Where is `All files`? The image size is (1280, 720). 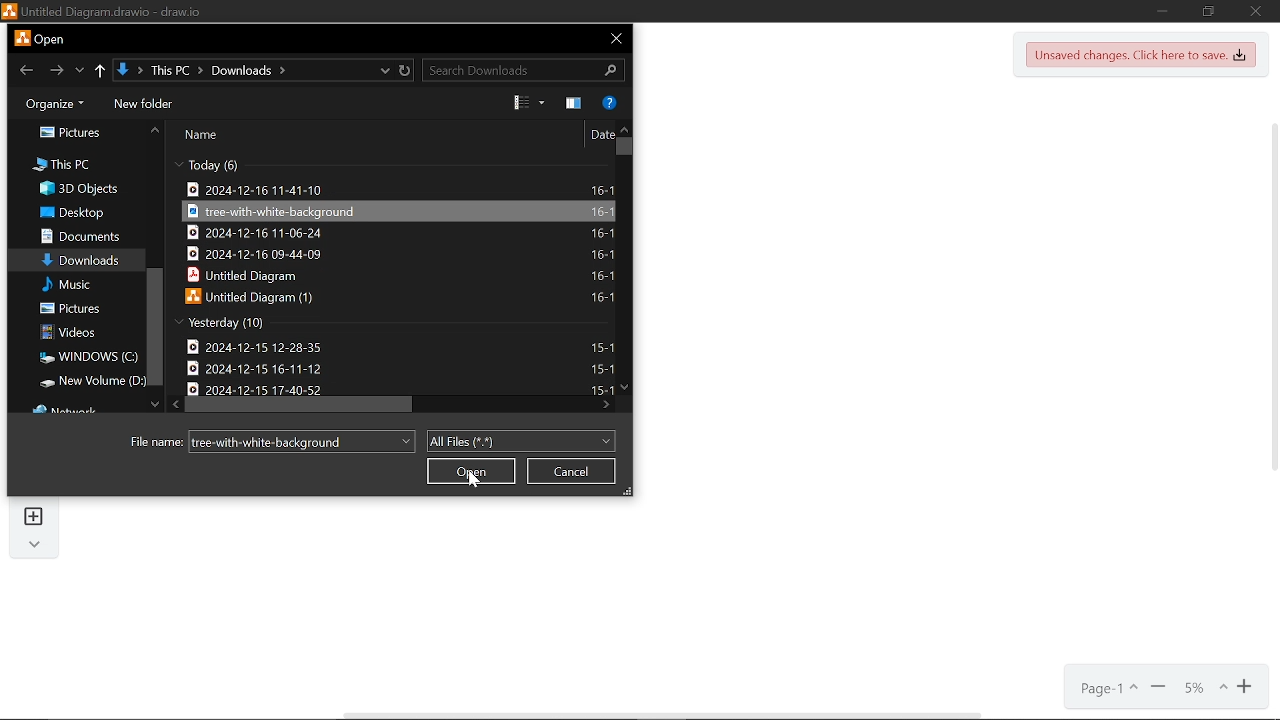 All files is located at coordinates (522, 440).